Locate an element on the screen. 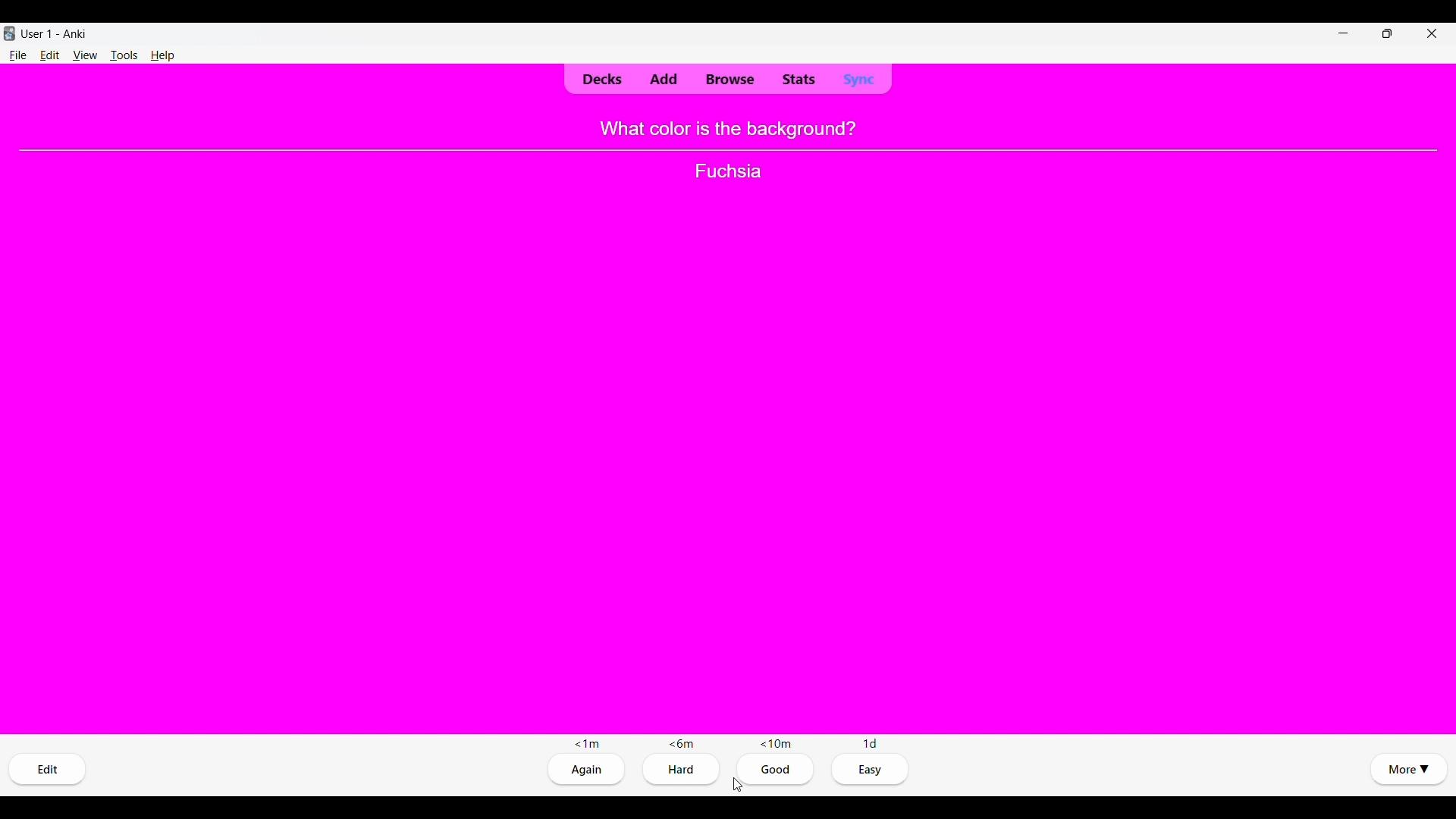 Image resolution: width=1456 pixels, height=819 pixels. Question is located at coordinates (728, 128).